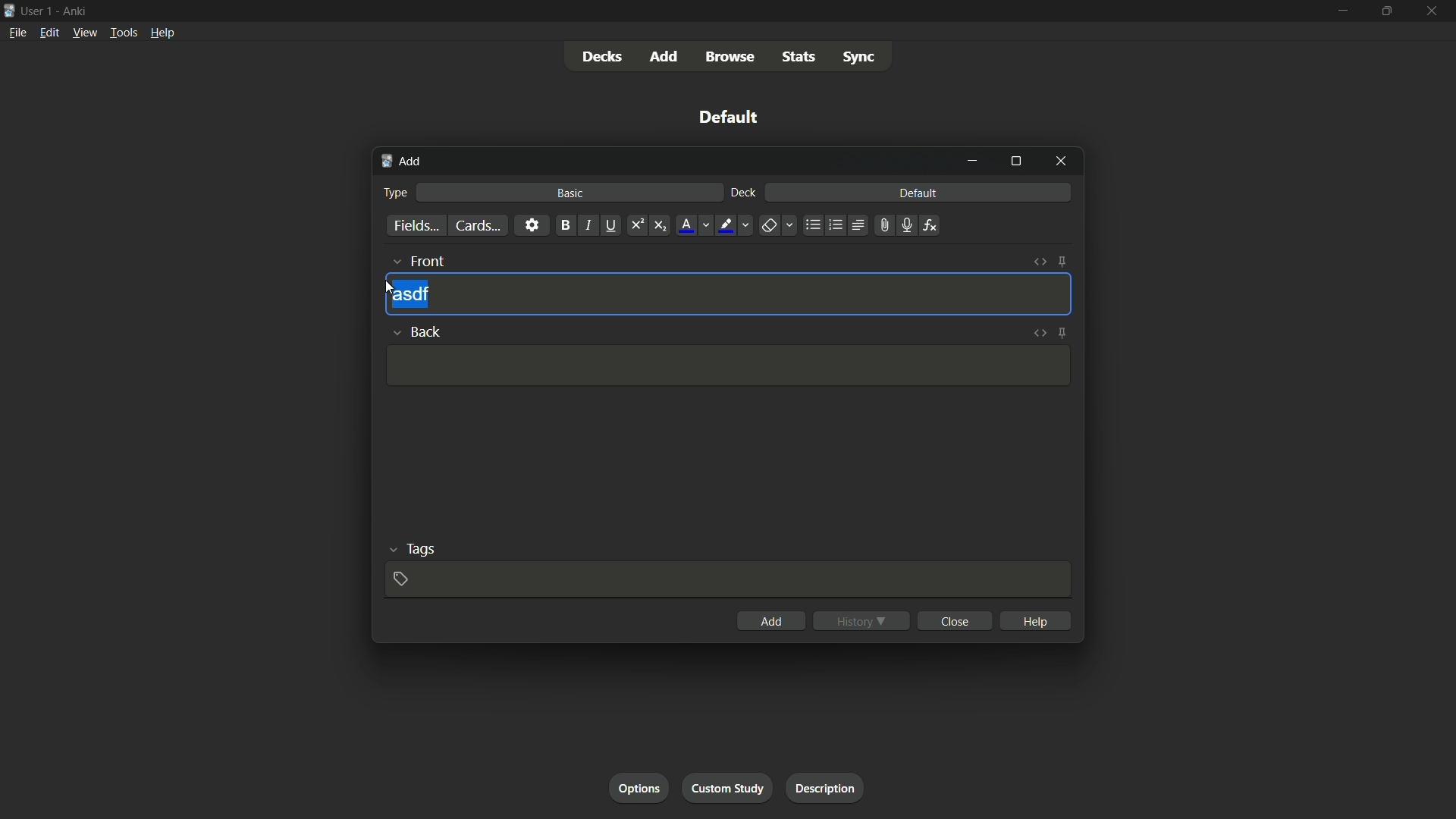 This screenshot has width=1456, height=819. Describe the element at coordinates (665, 55) in the screenshot. I see `add` at that location.